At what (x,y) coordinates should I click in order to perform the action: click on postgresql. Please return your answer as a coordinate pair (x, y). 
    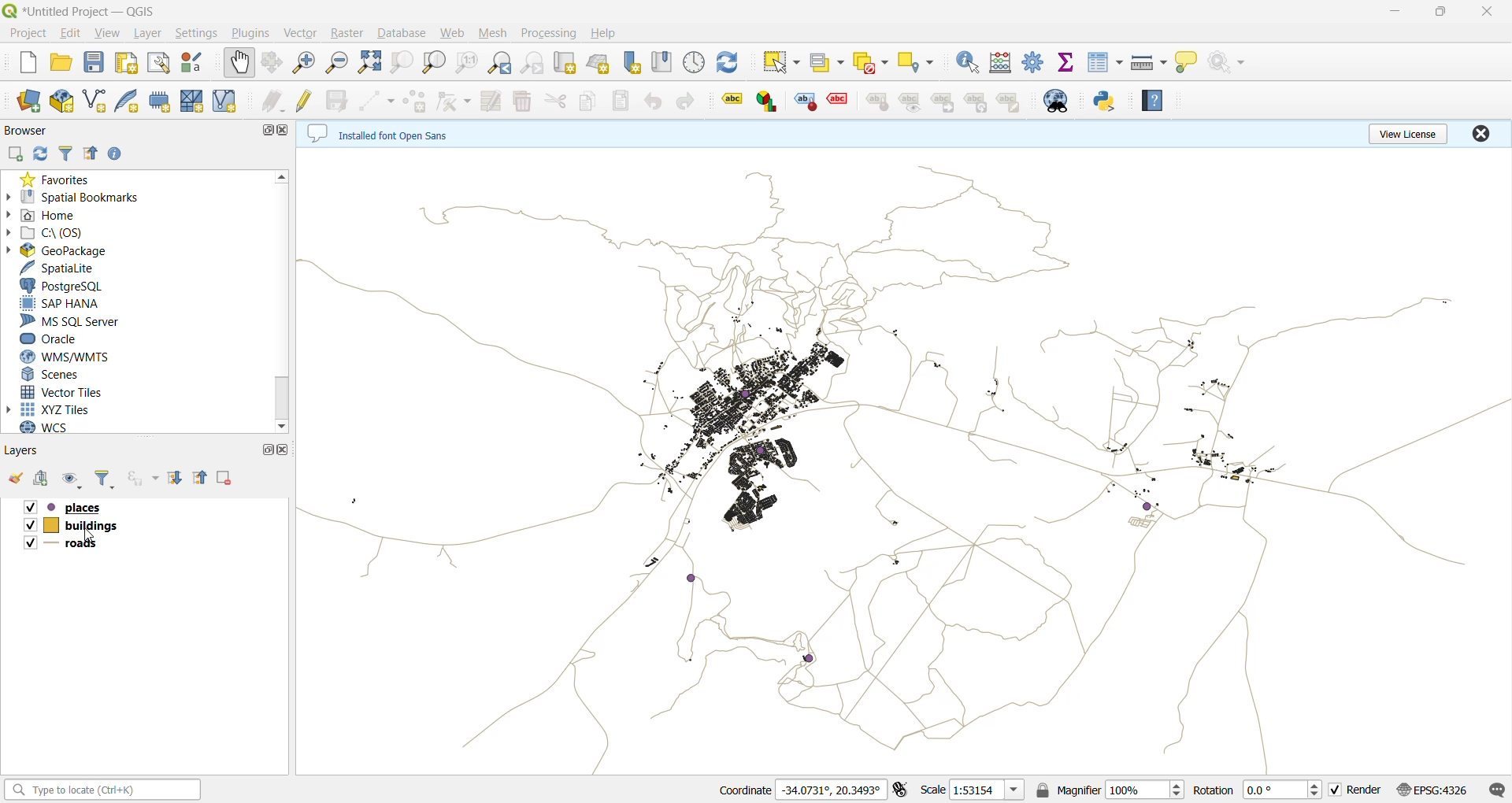
    Looking at the image, I should click on (62, 287).